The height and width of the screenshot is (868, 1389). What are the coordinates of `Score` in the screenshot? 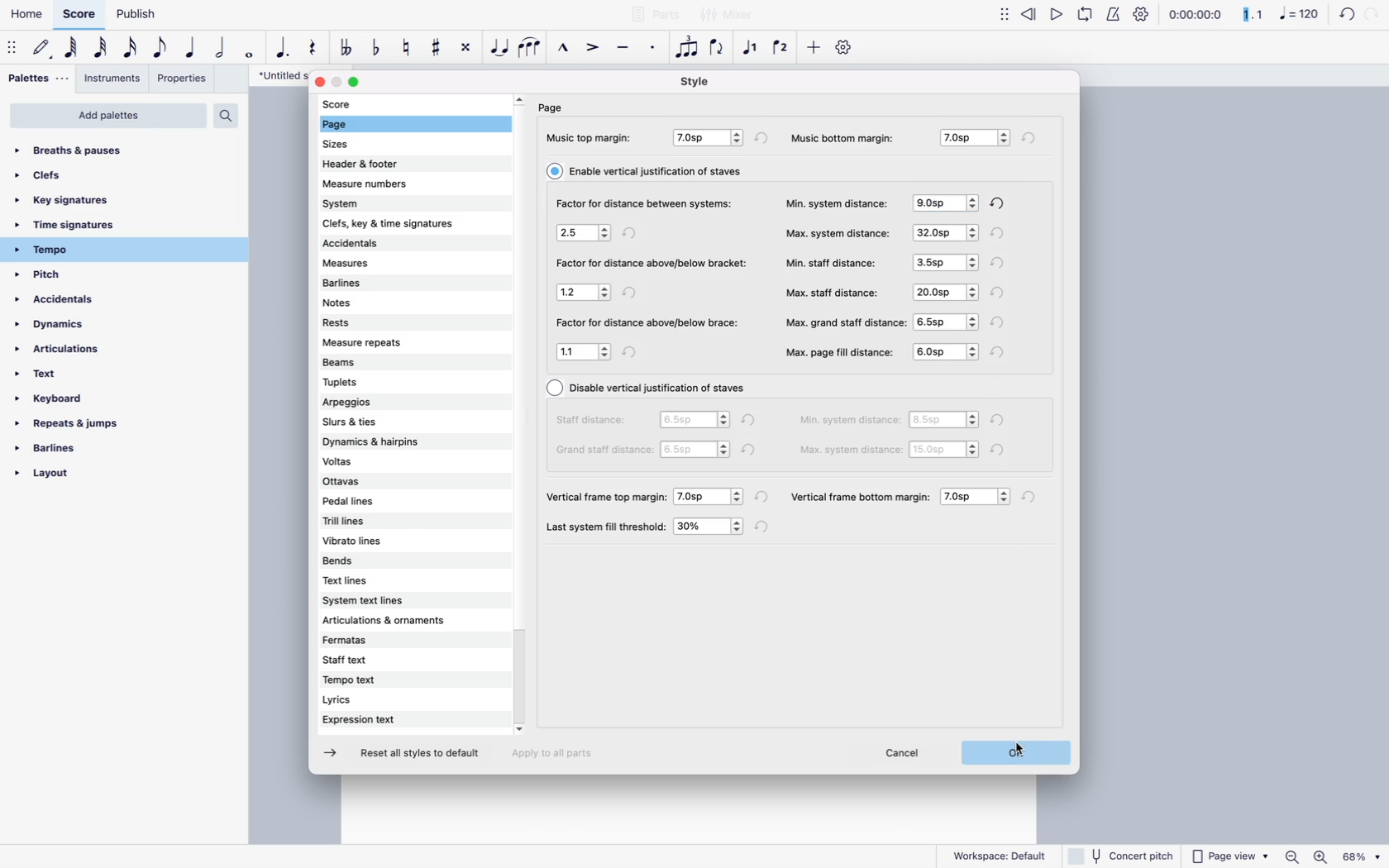 It's located at (77, 13).